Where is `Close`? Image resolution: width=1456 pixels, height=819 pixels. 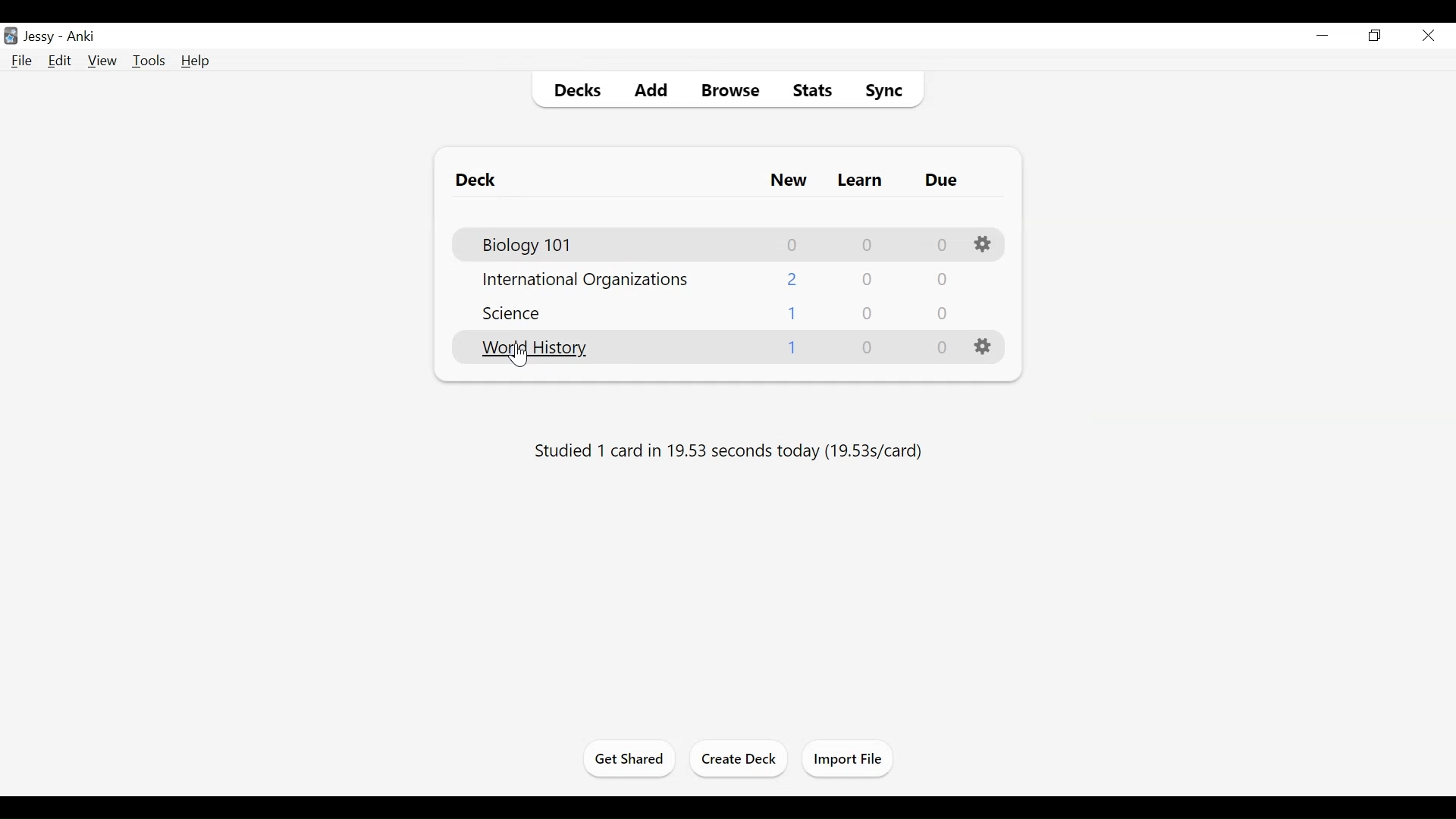
Close is located at coordinates (1426, 35).